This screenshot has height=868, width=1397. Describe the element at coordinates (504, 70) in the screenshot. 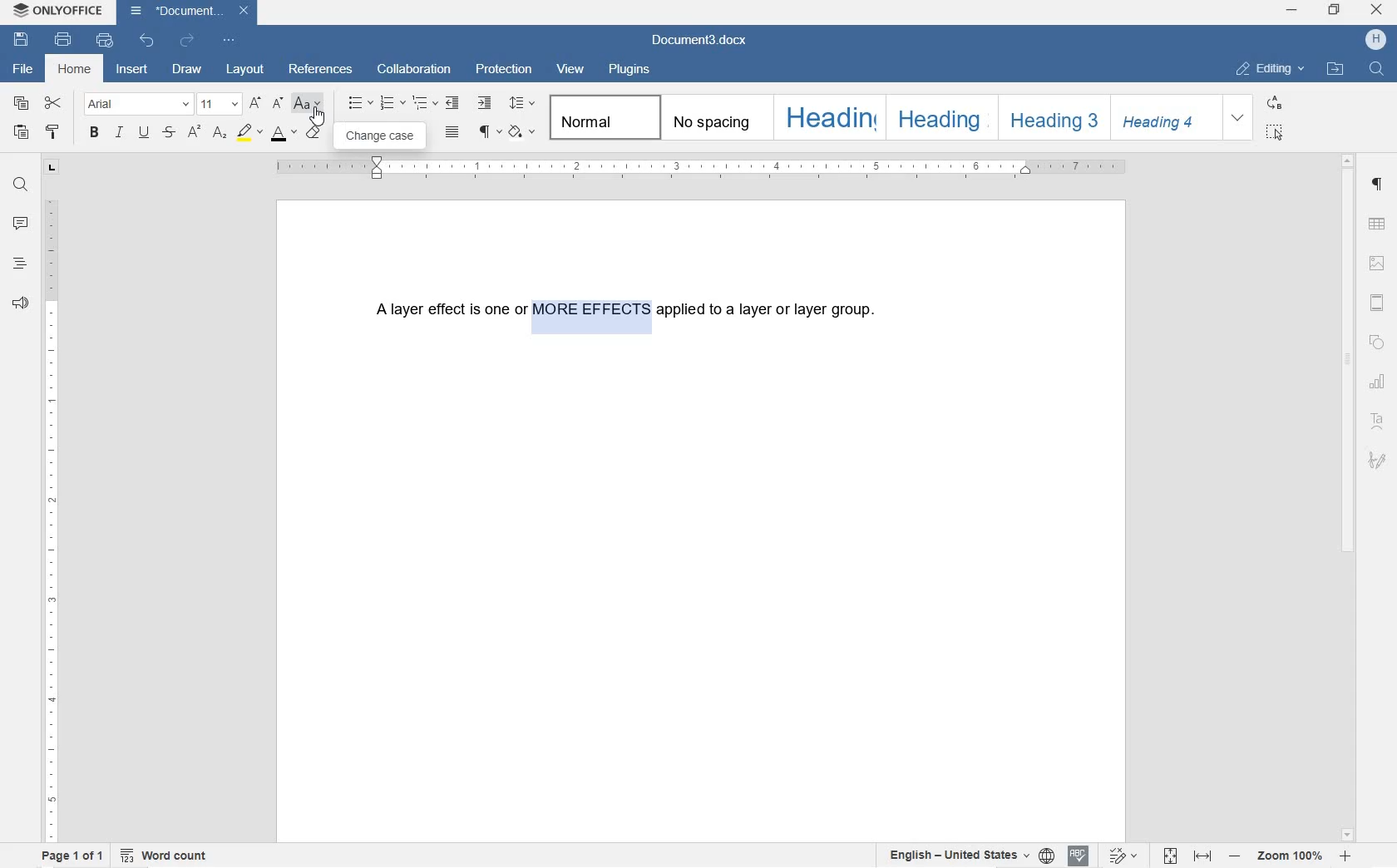

I see `PROTECTION` at that location.